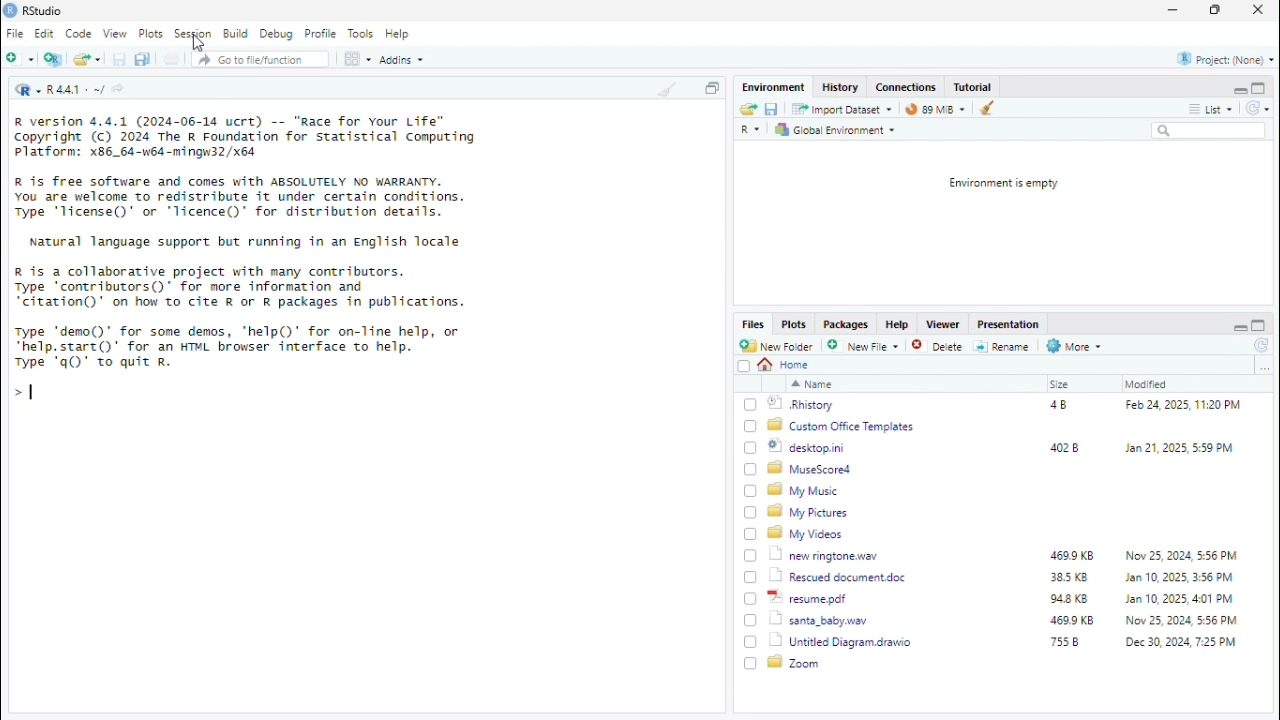 The height and width of the screenshot is (720, 1280). Describe the element at coordinates (11, 11) in the screenshot. I see `logo` at that location.